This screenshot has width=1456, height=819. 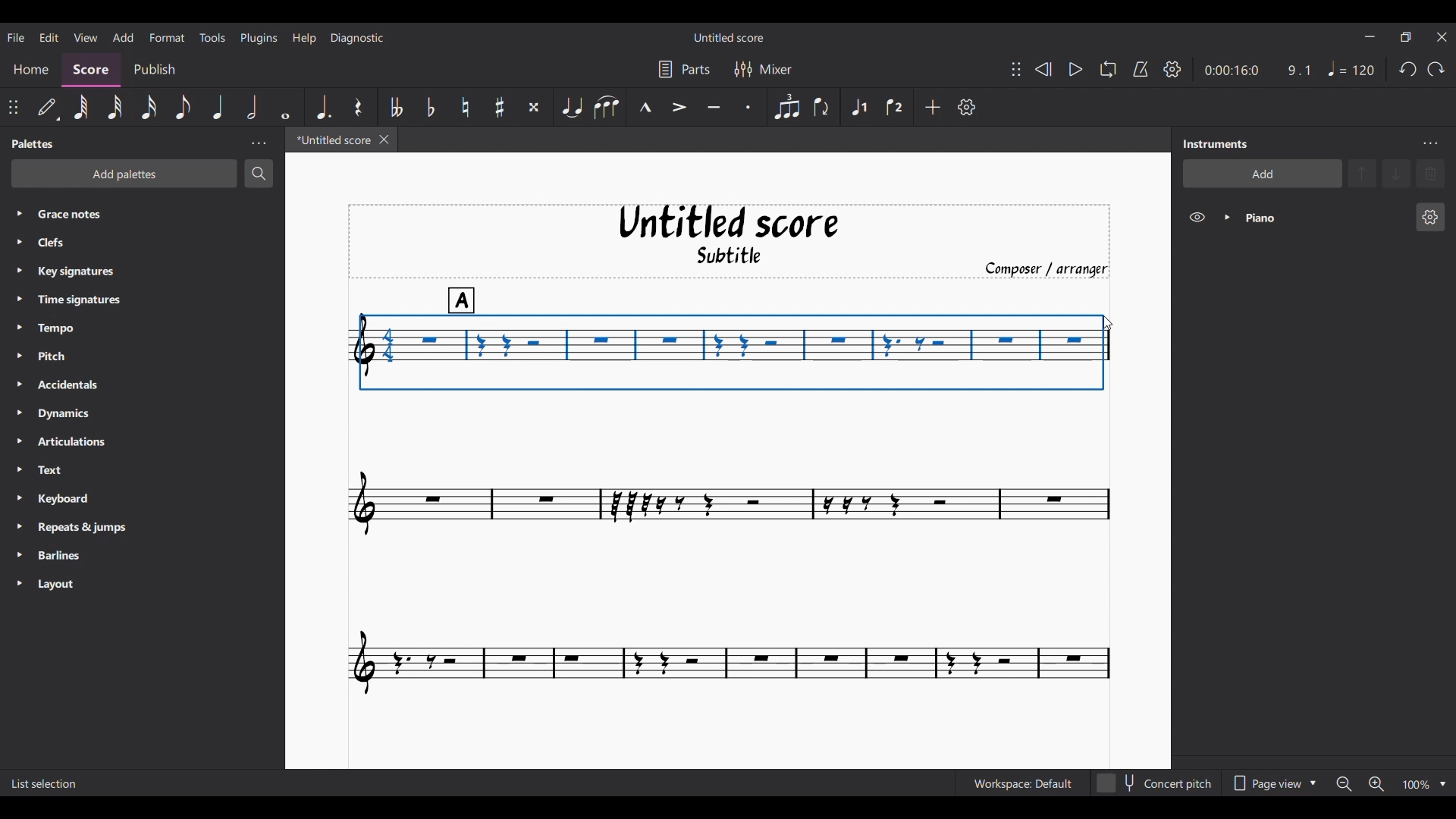 What do you see at coordinates (678, 107) in the screenshot?
I see `Accent` at bounding box center [678, 107].